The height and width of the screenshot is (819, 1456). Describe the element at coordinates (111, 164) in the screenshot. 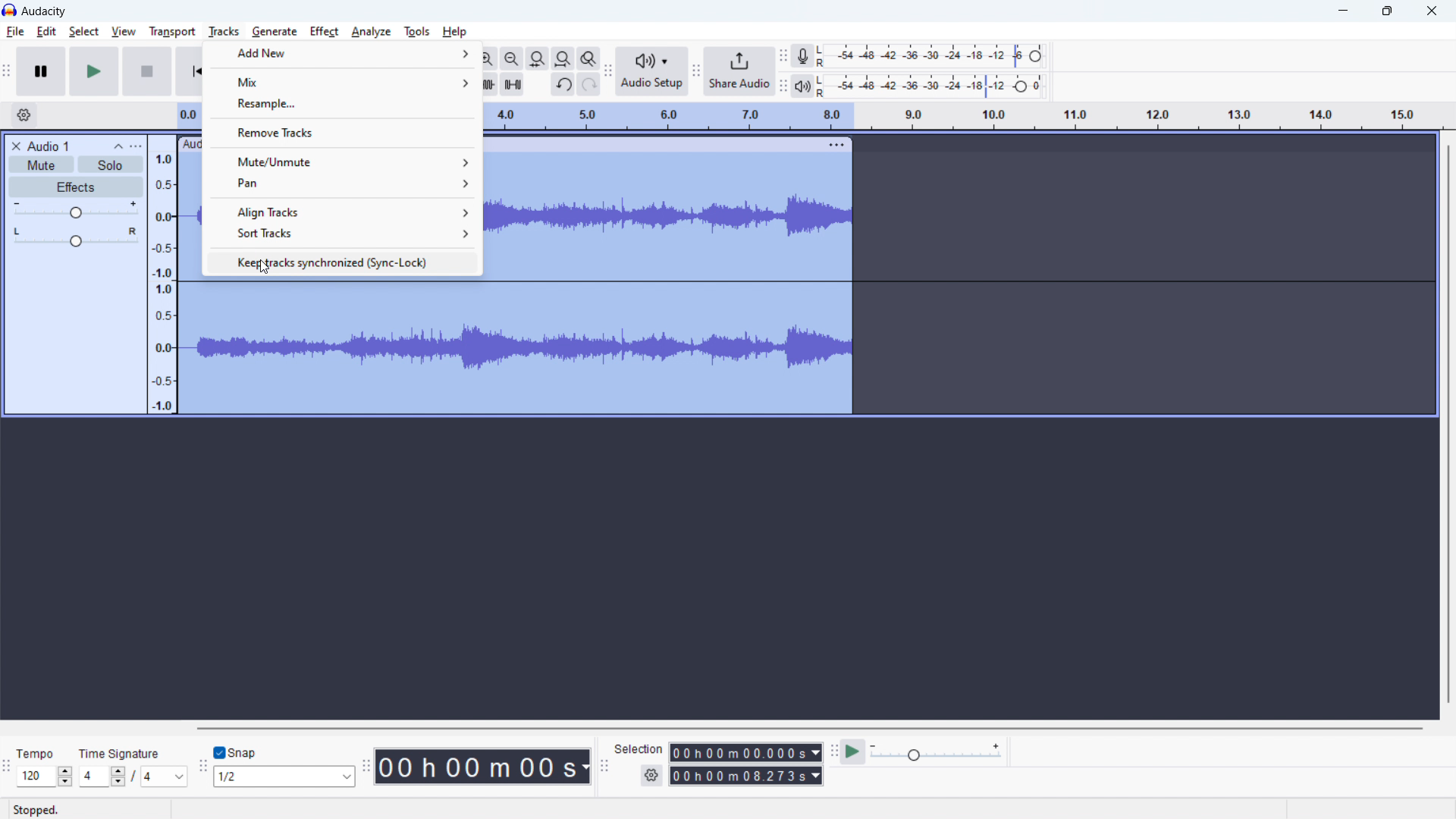

I see `solo` at that location.